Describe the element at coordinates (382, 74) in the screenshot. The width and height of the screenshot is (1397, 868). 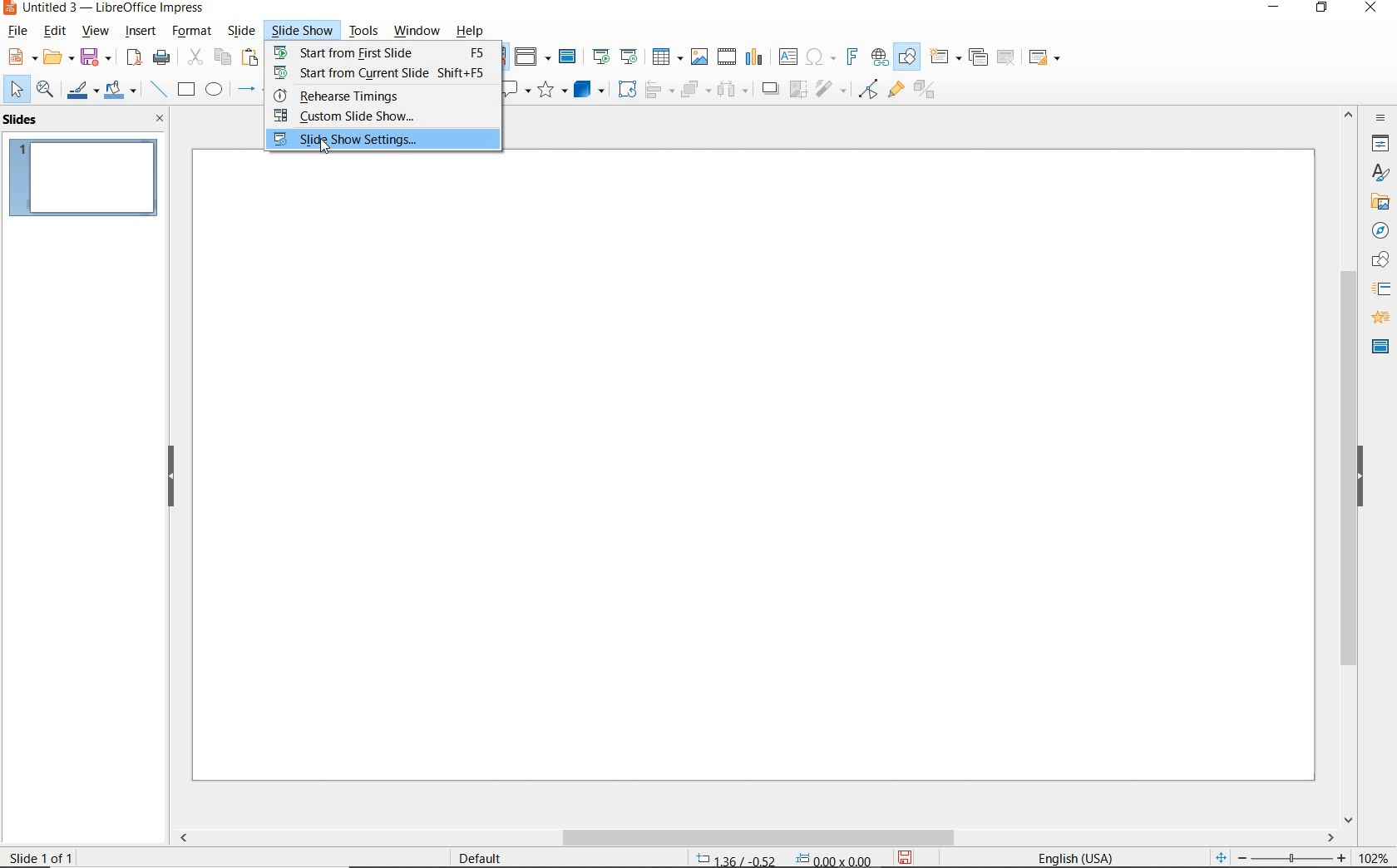
I see `START FROM CURRENT SLIDE ` at that location.